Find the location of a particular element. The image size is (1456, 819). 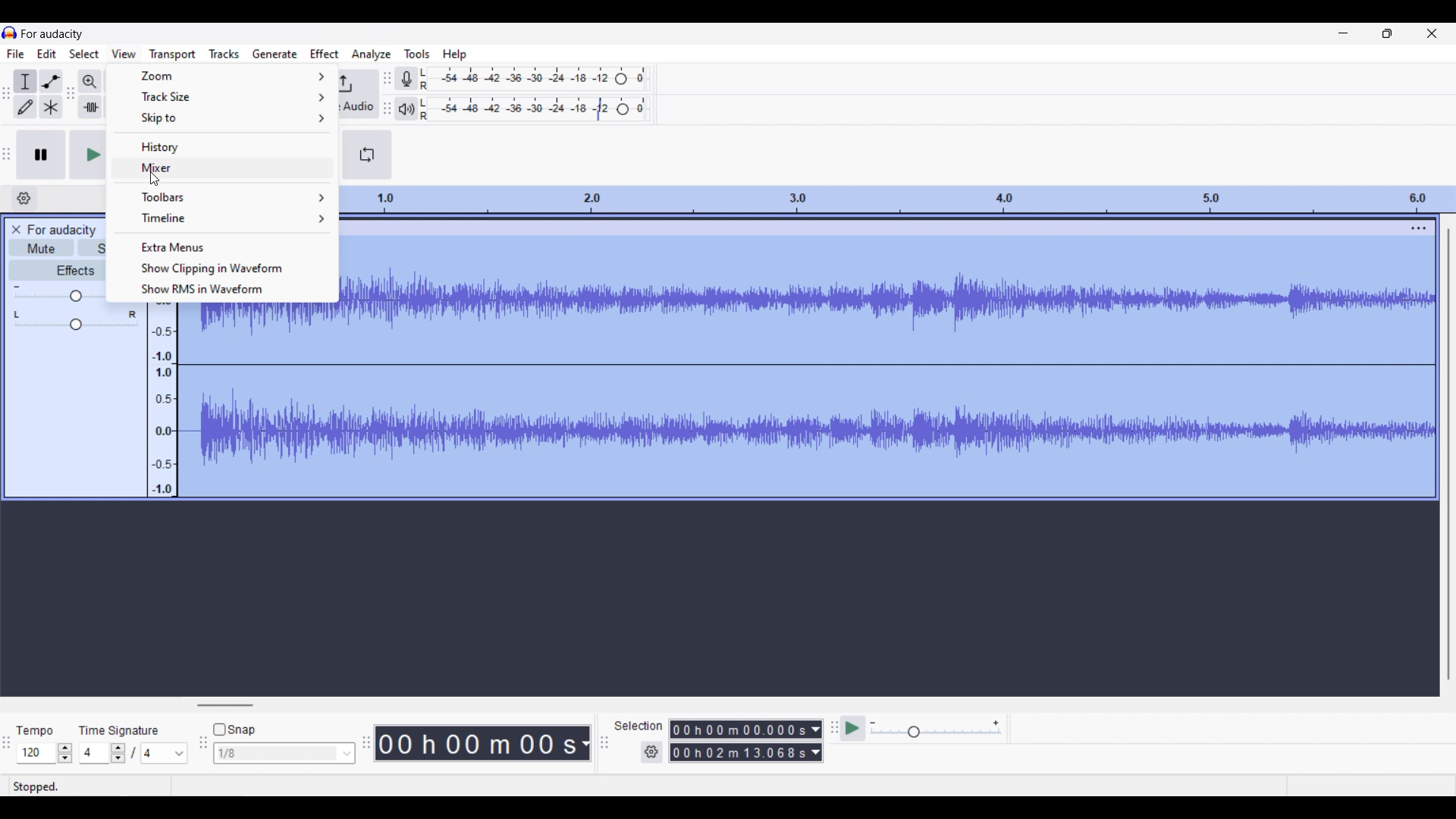

Project name is located at coordinates (53, 34).